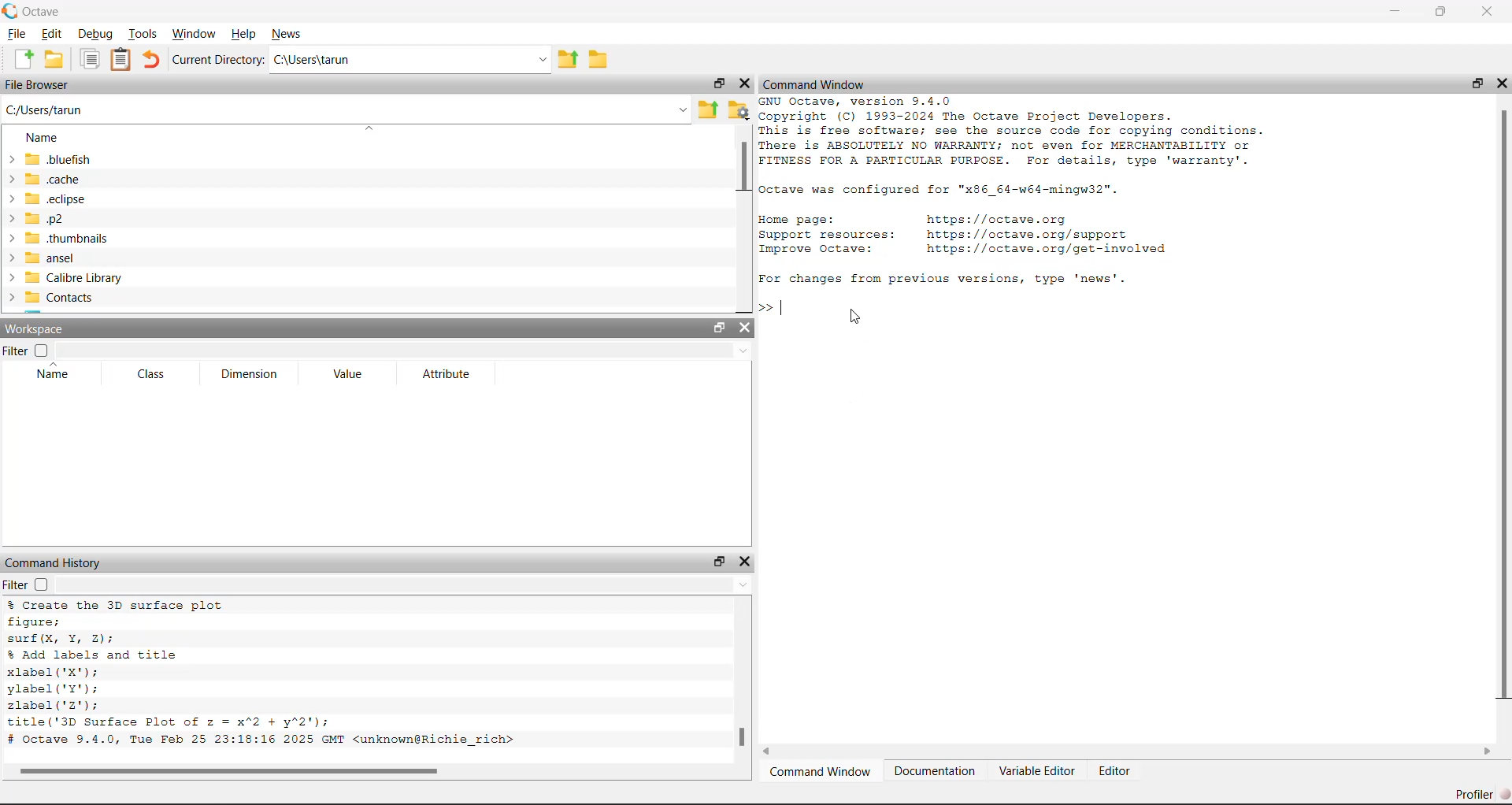 Image resolution: width=1512 pixels, height=805 pixels. I want to click on Profiler, so click(1482, 793).